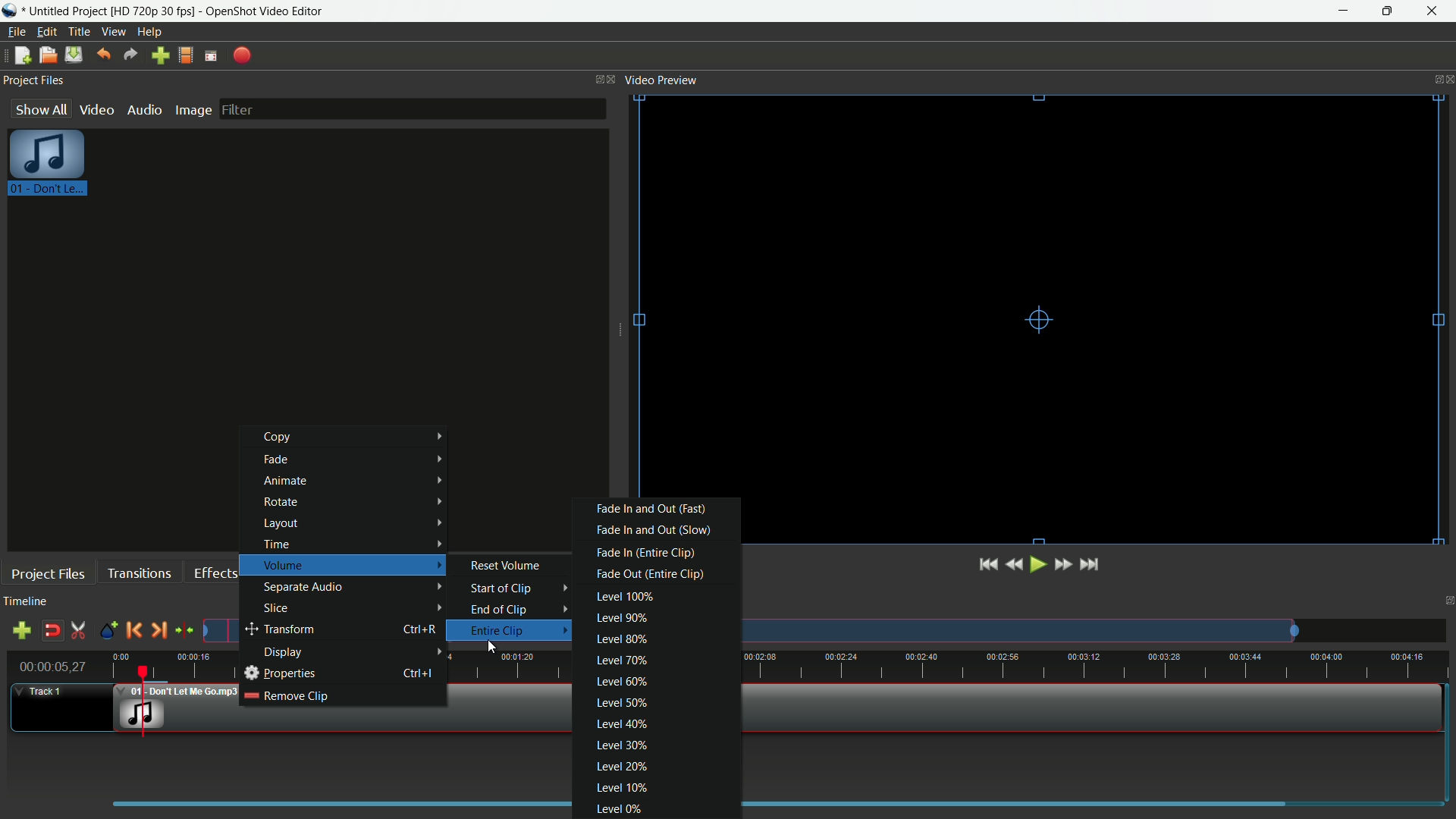  I want to click on keyboard shortcut, so click(424, 672).